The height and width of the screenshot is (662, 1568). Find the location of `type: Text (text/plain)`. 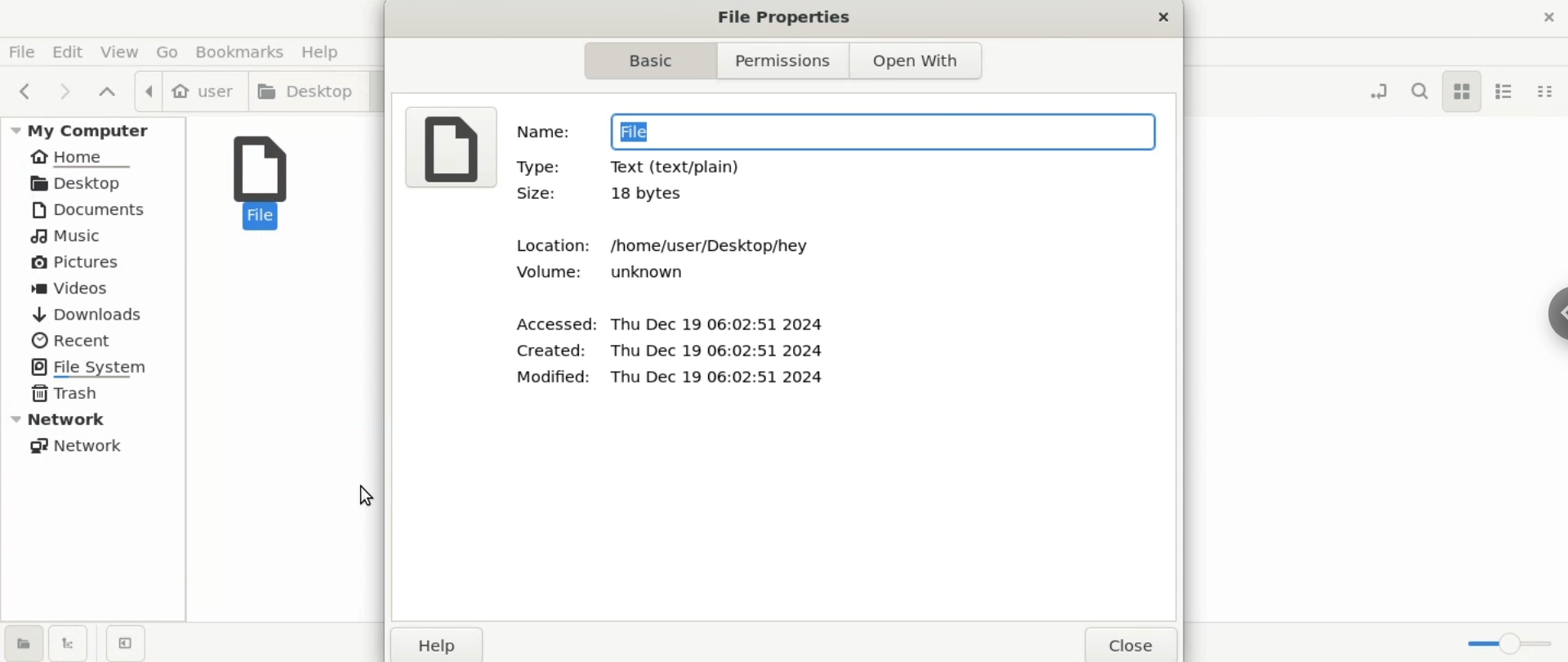

type: Text (text/plain) is located at coordinates (632, 168).